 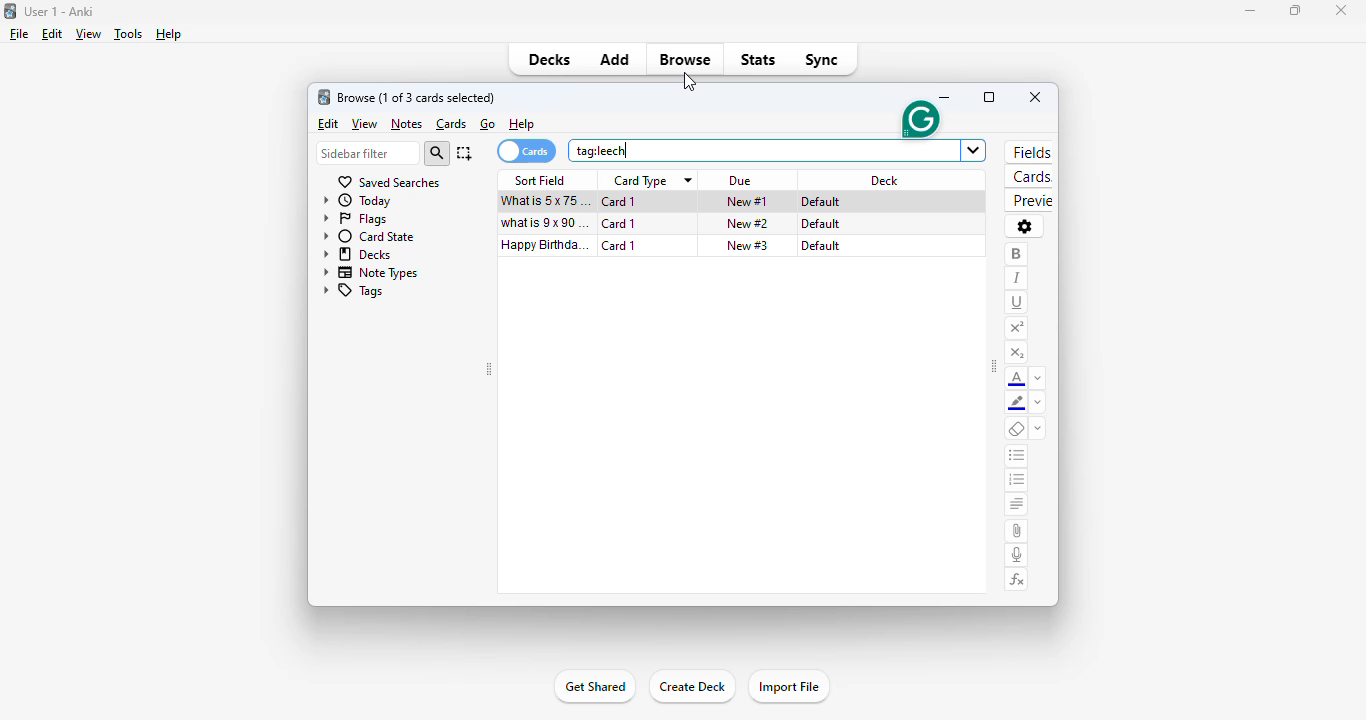 I want to click on toggle sidebar, so click(x=994, y=368).